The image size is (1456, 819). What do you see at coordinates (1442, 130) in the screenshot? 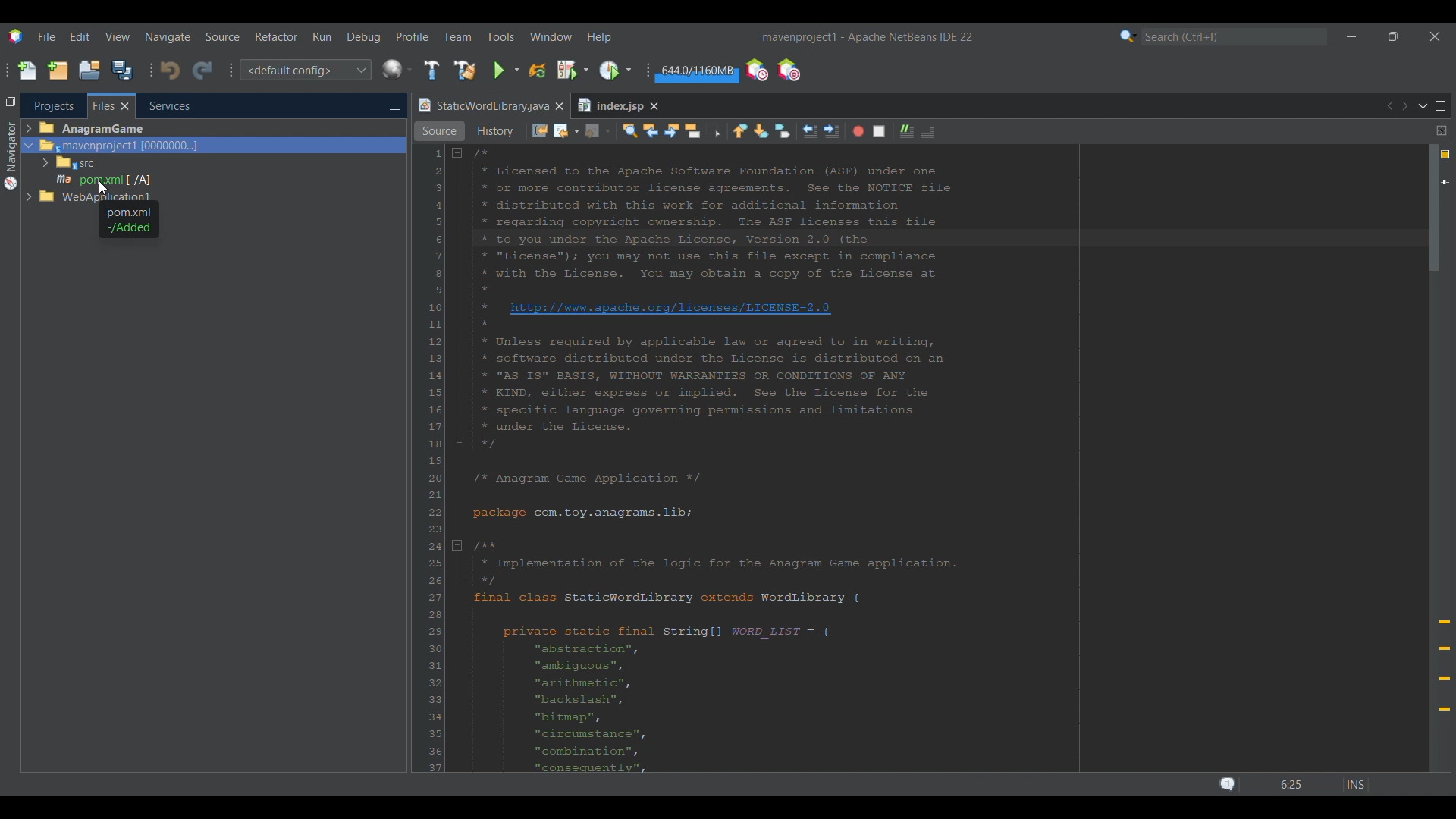
I see `Split window horizontally or vertically` at bounding box center [1442, 130].